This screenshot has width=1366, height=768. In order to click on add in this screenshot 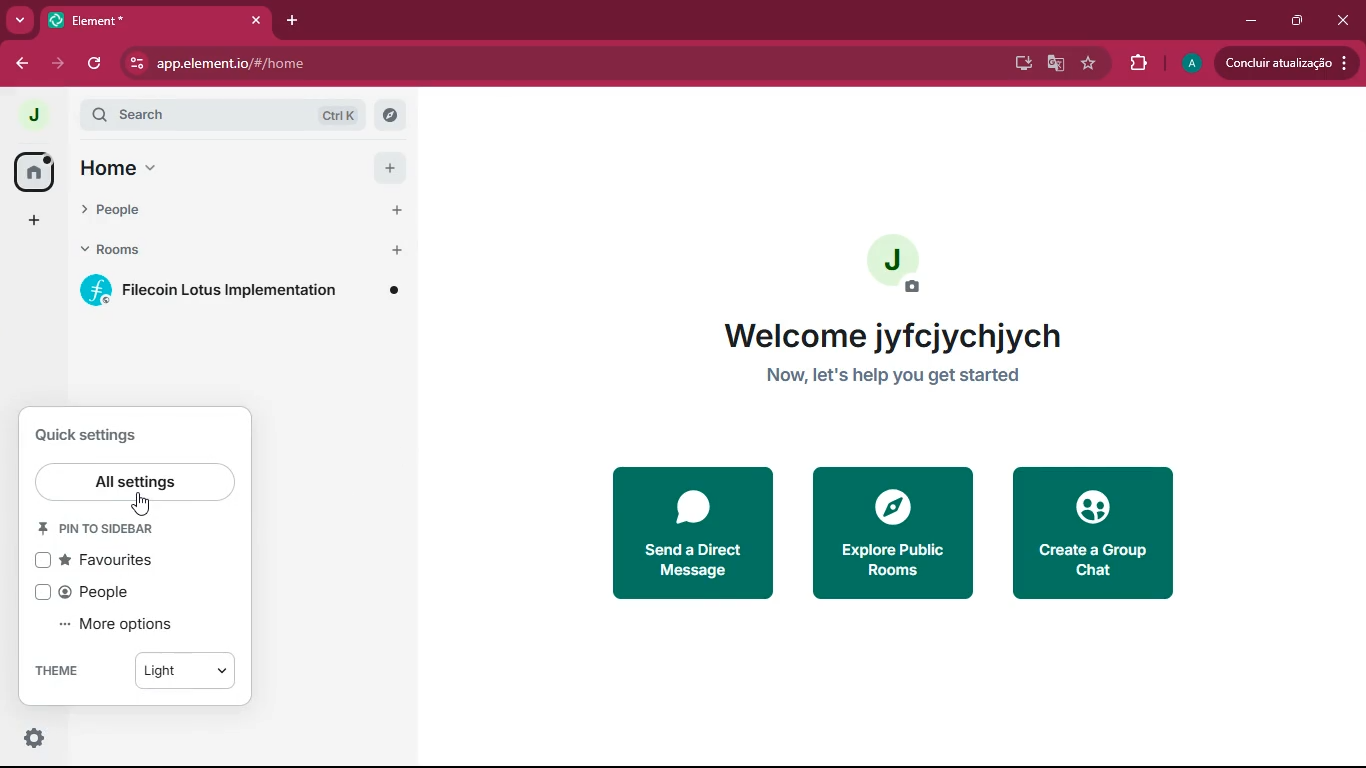, I will do `click(397, 251)`.